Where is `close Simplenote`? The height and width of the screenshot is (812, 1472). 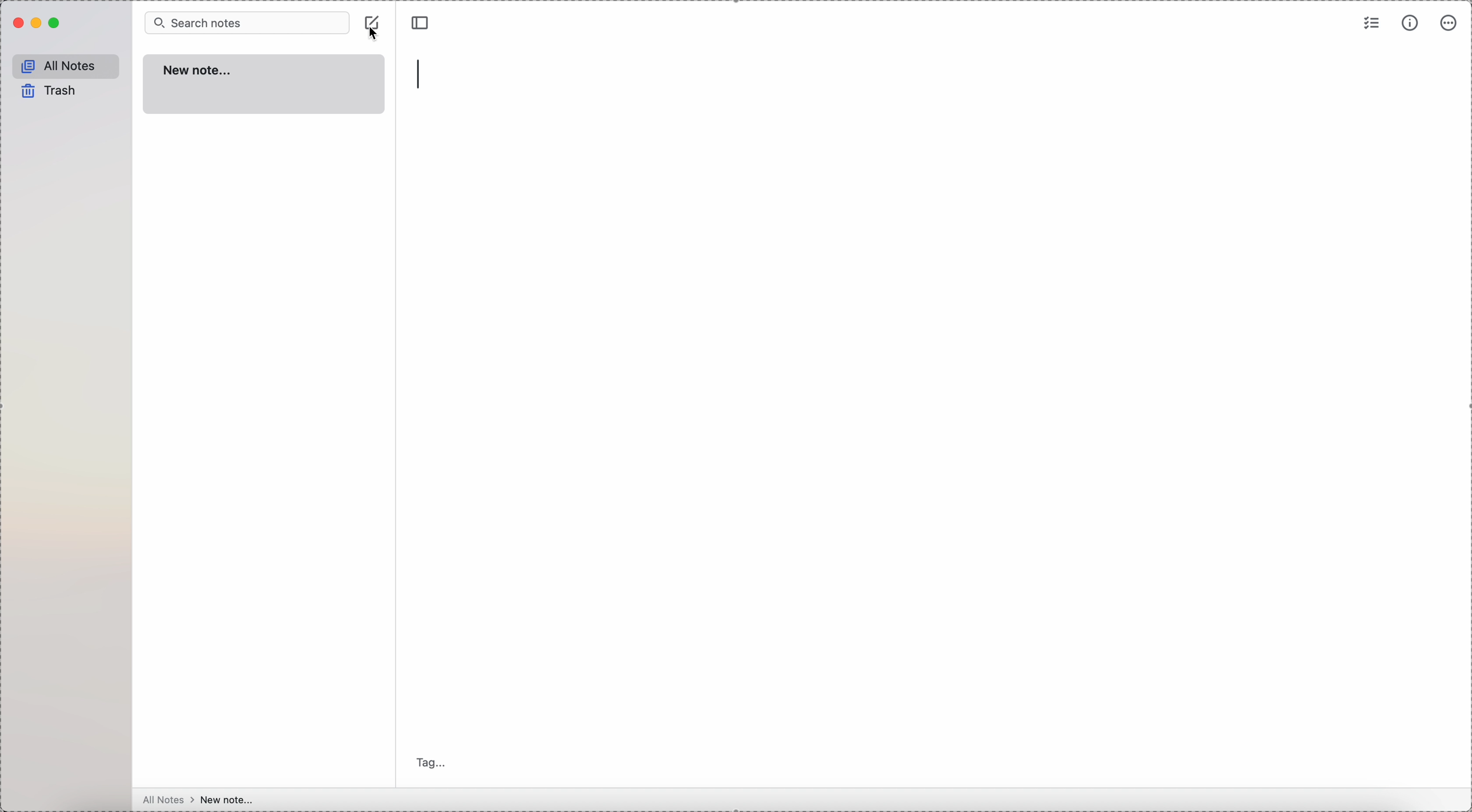
close Simplenote is located at coordinates (18, 24).